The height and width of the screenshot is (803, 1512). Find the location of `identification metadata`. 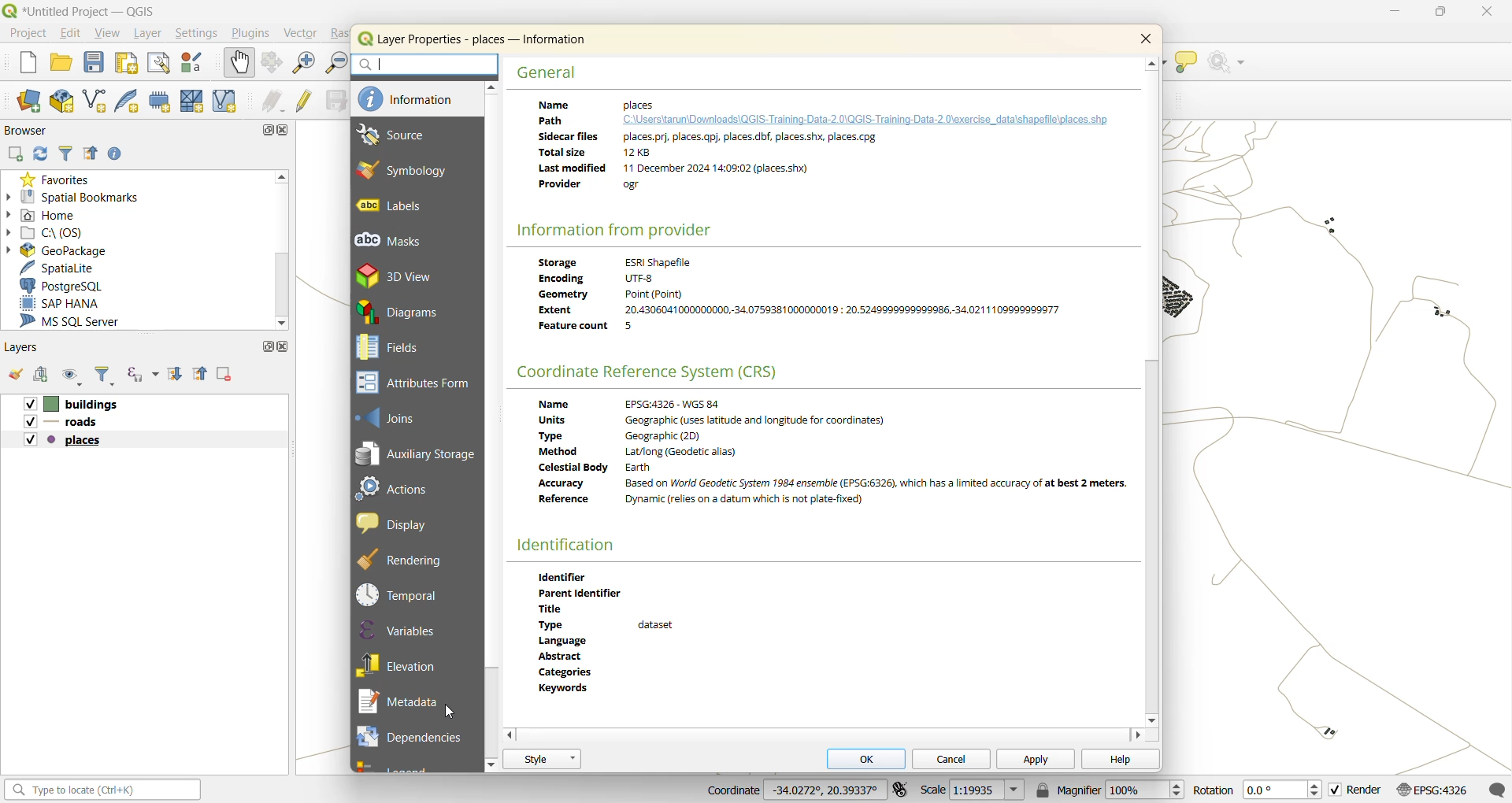

identification metadata is located at coordinates (620, 628).